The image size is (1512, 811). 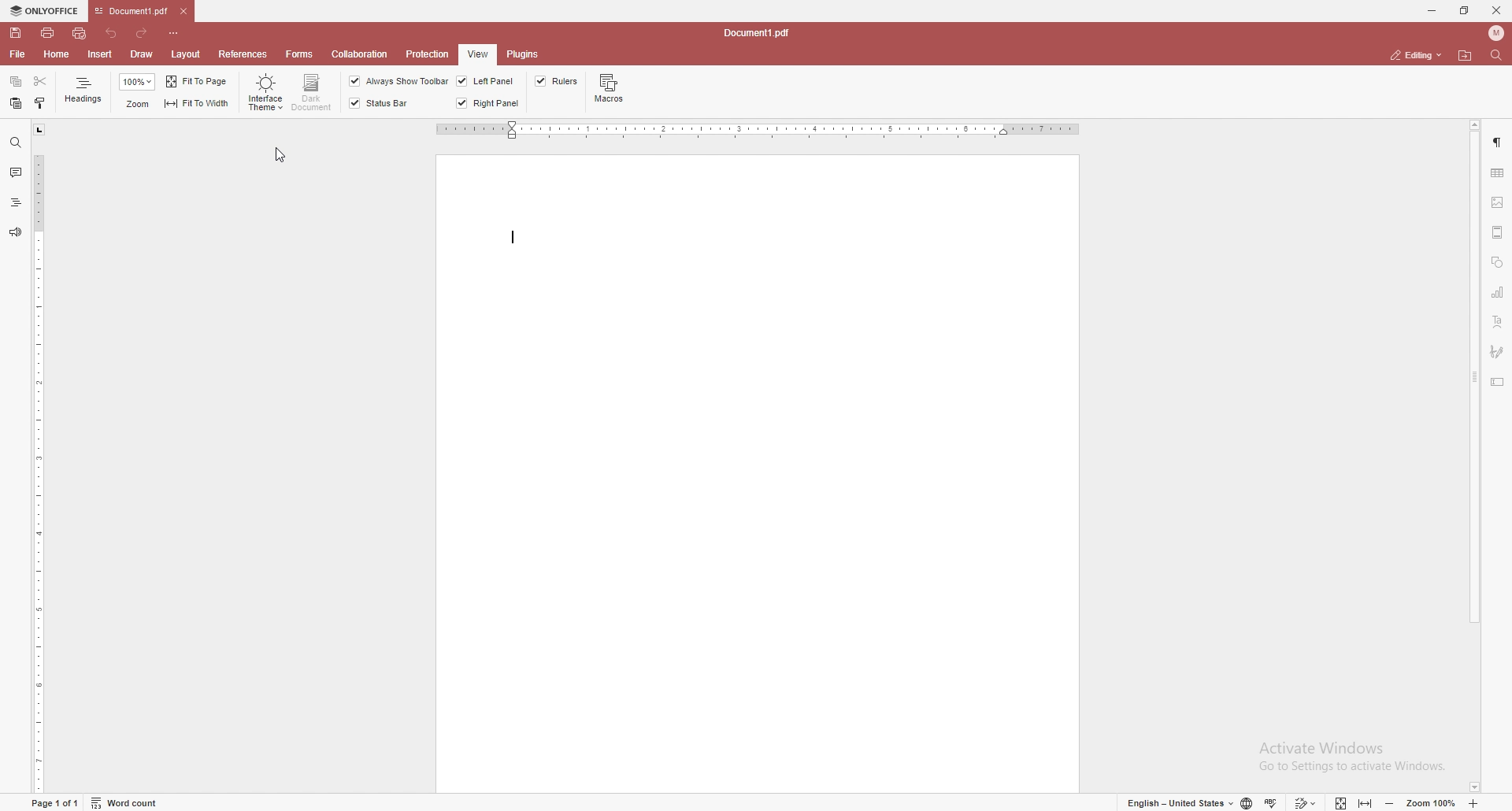 I want to click on tab, so click(x=130, y=11).